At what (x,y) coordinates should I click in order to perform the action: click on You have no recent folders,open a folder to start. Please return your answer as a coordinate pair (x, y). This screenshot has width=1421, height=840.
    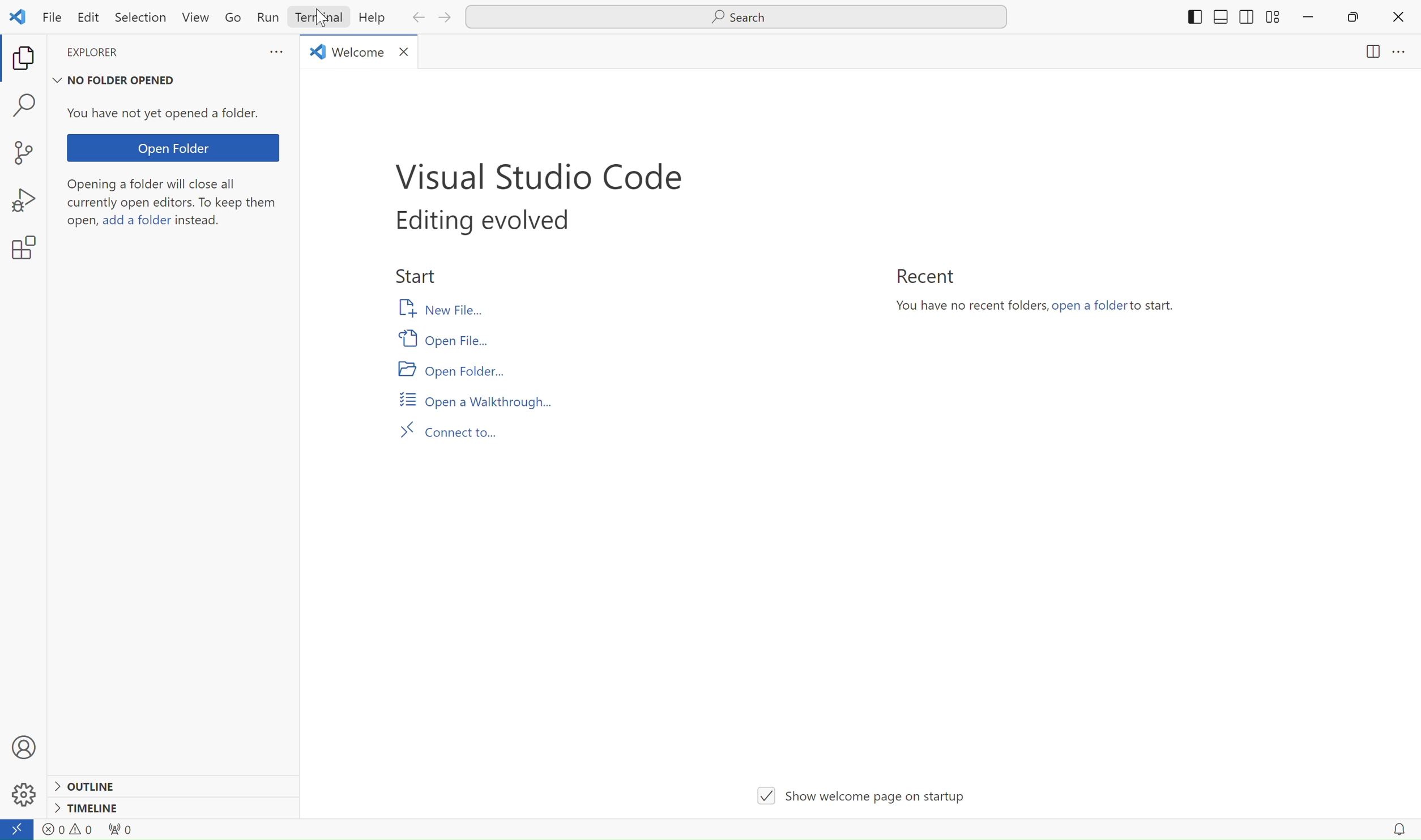
    Looking at the image, I should click on (1036, 311).